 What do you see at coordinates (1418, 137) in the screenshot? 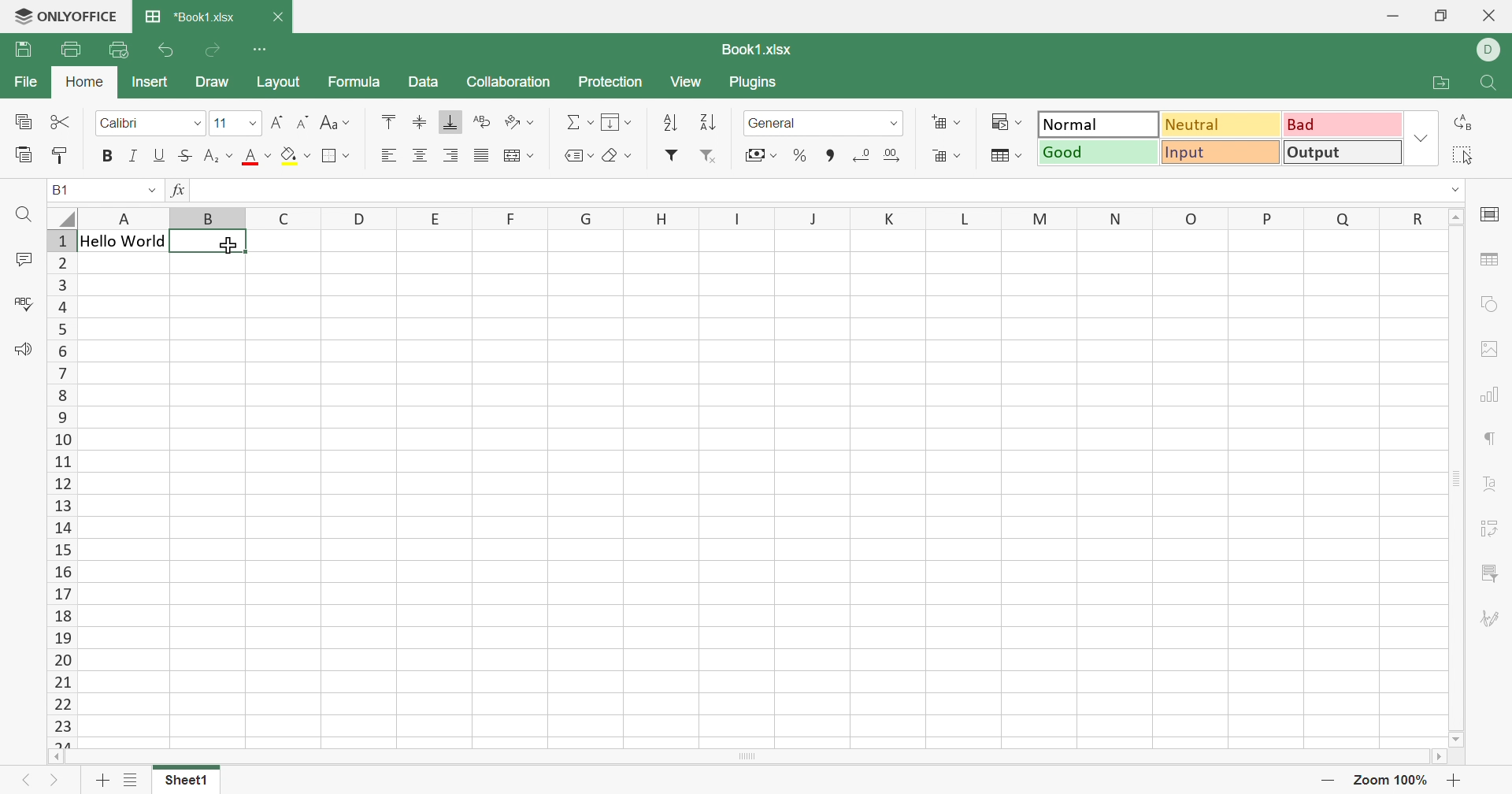
I see `Drop down` at bounding box center [1418, 137].